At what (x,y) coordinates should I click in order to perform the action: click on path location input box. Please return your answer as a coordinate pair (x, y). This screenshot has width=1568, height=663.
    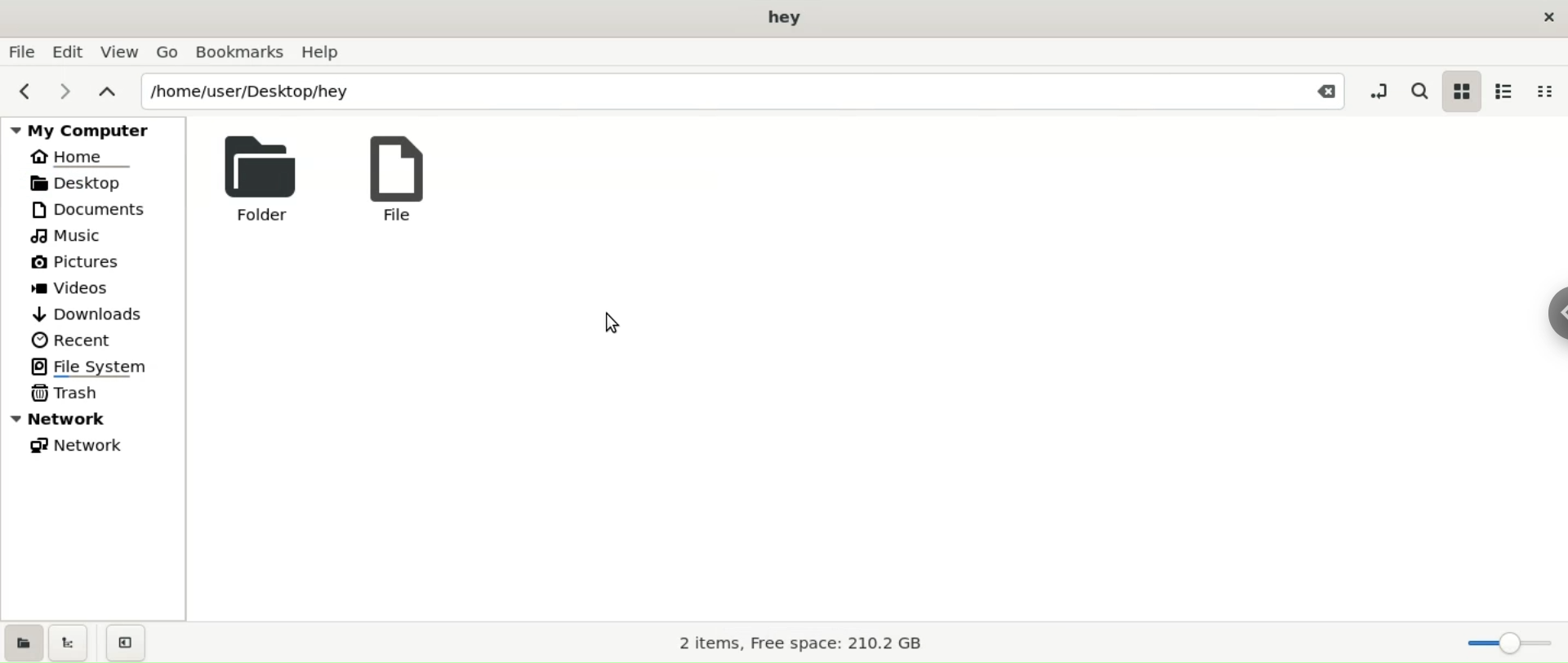
    Looking at the image, I should click on (742, 91).